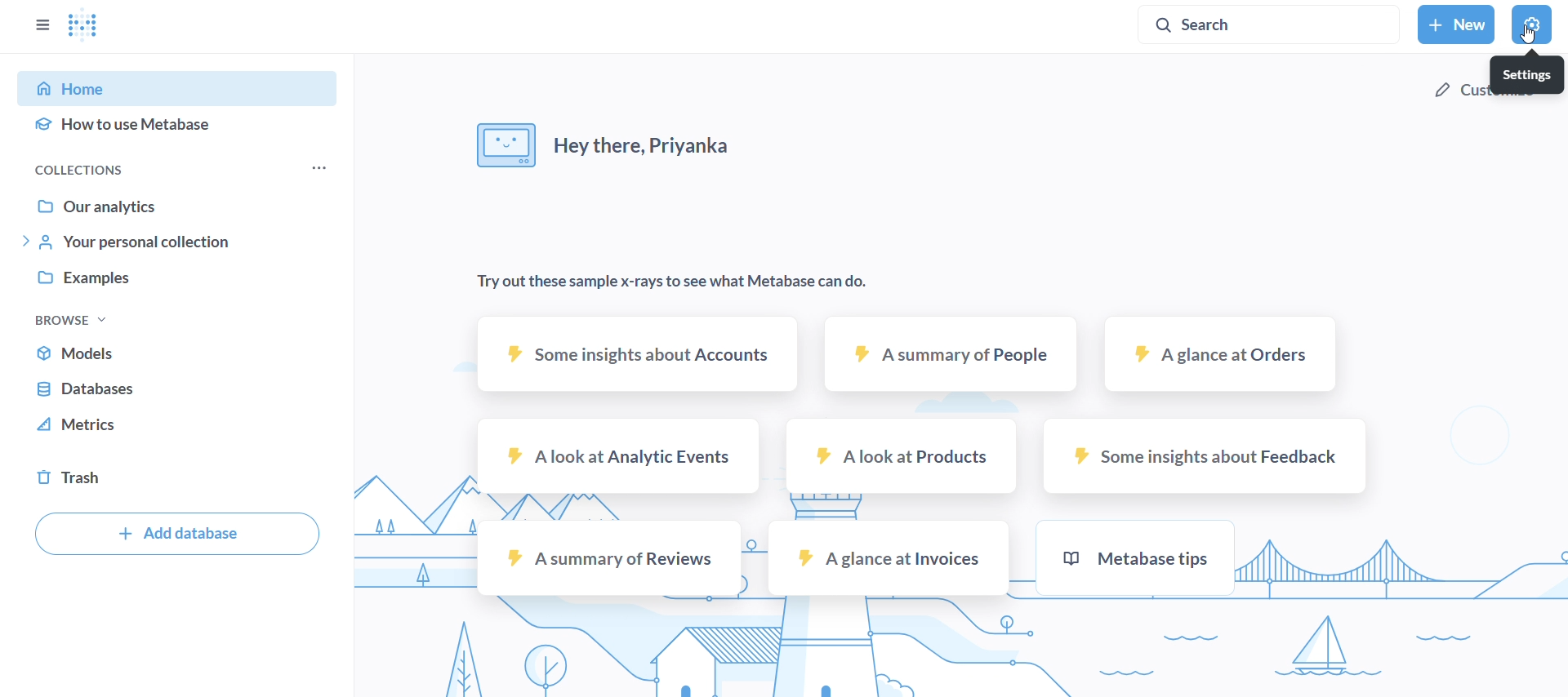 This screenshot has height=697, width=1568. Describe the element at coordinates (608, 557) in the screenshot. I see `a summary of reviewa` at that location.